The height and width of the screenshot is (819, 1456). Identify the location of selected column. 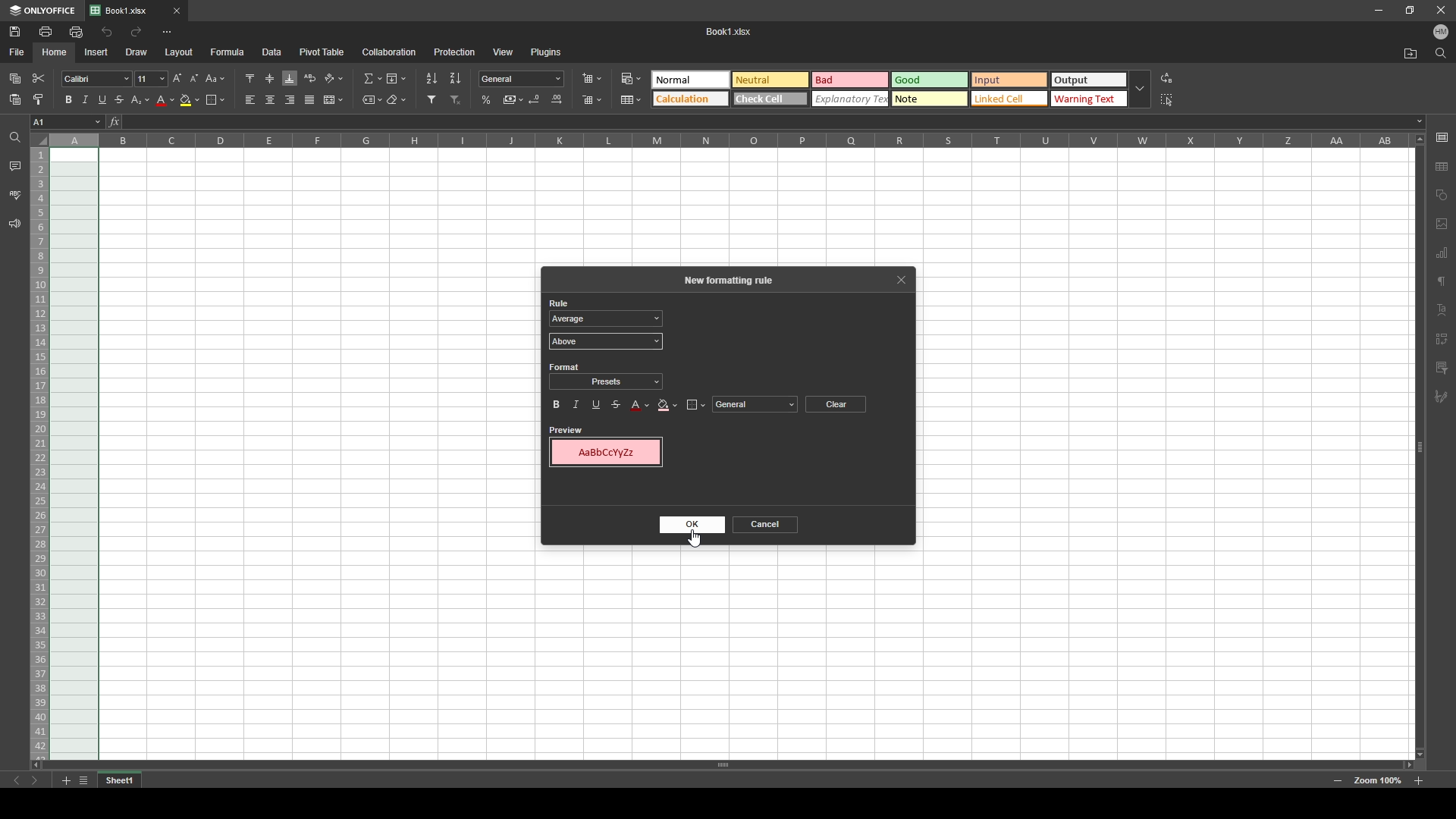
(74, 140).